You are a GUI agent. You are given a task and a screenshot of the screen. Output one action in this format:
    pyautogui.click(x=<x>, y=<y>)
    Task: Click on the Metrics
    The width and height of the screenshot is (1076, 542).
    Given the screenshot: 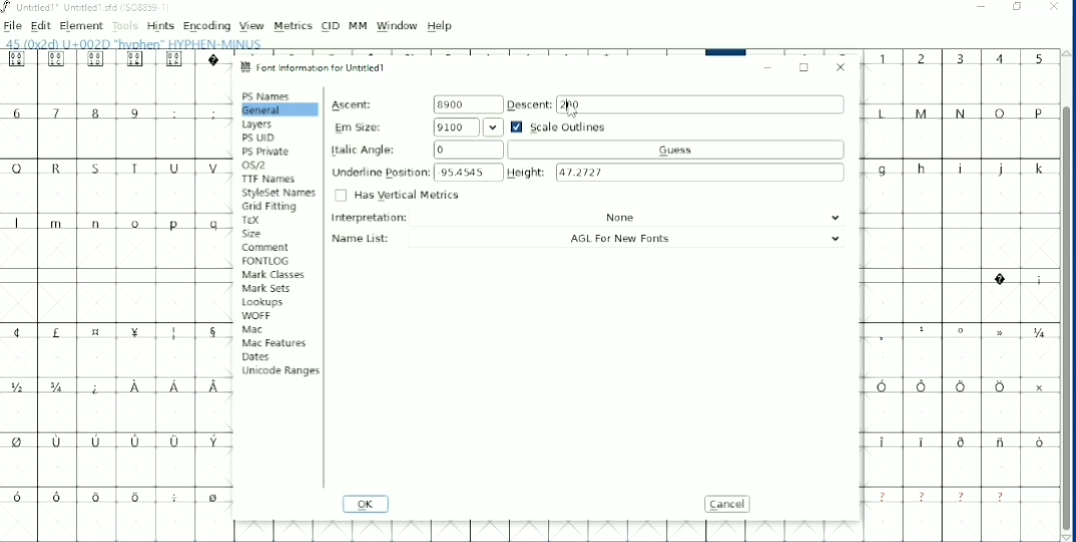 What is the action you would take?
    pyautogui.click(x=292, y=26)
    